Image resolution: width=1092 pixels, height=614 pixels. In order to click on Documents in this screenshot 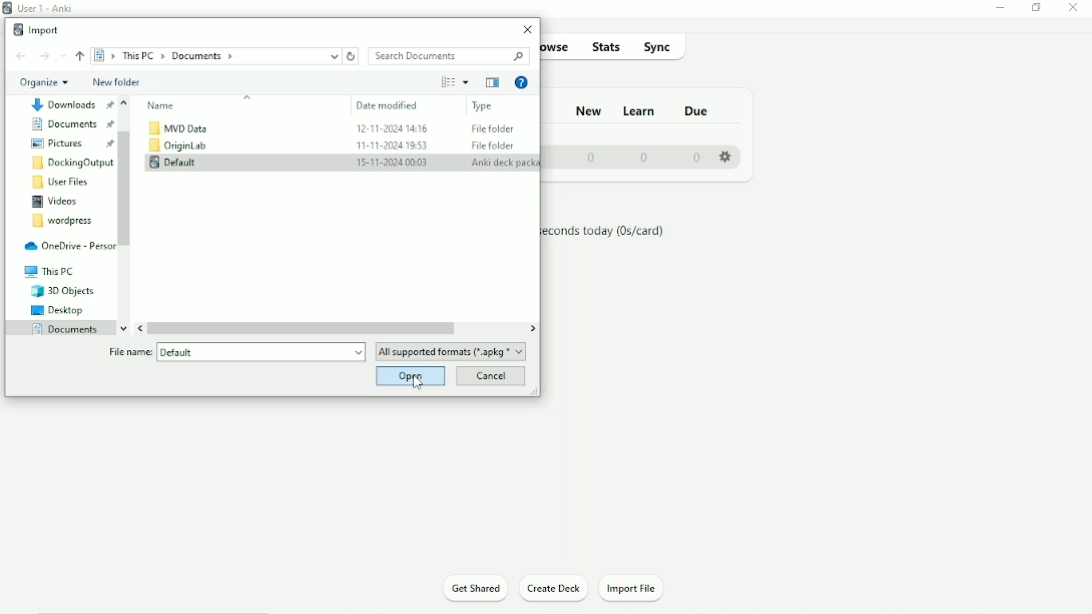, I will do `click(73, 125)`.